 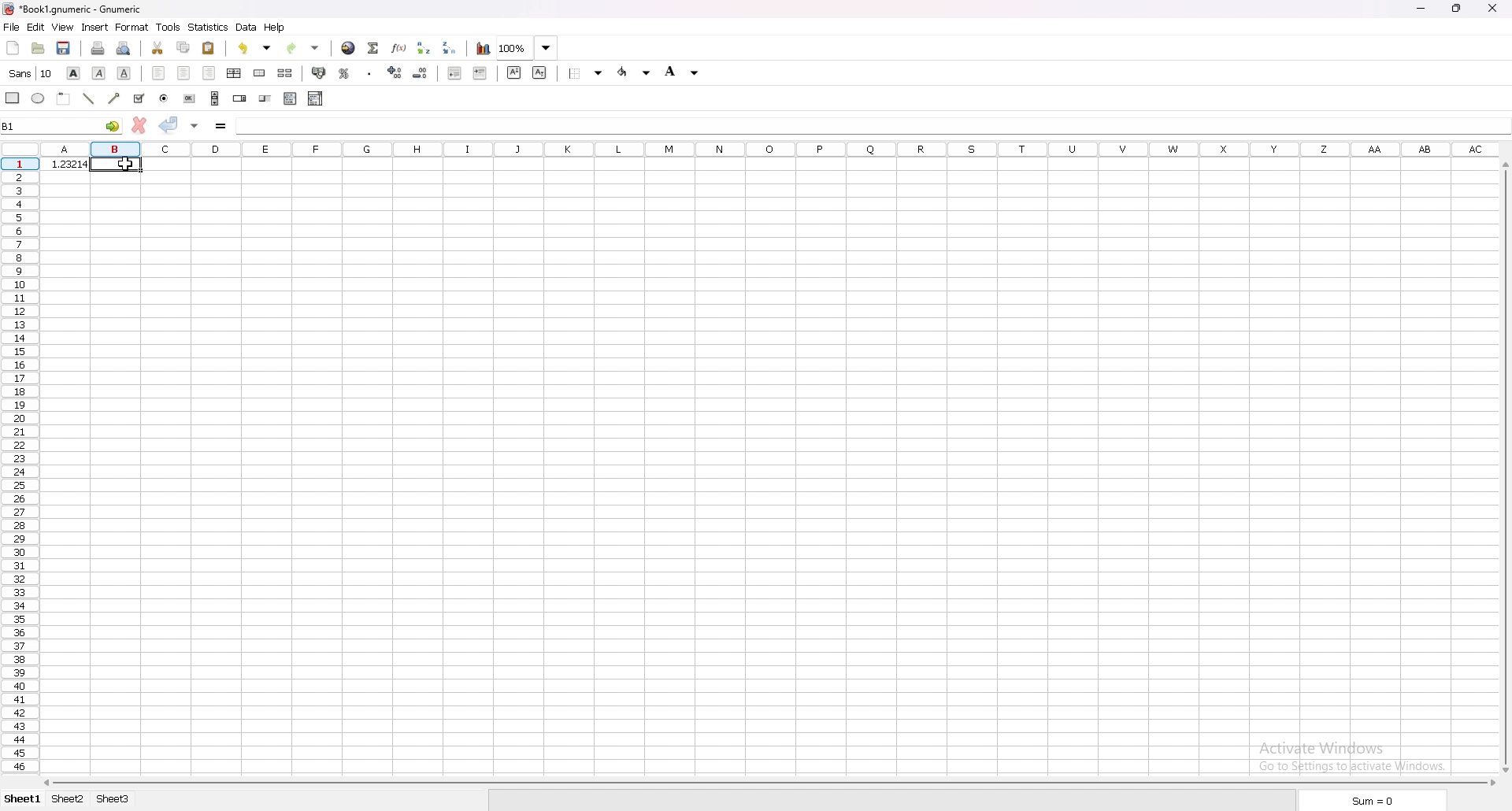 I want to click on cell input, so click(x=870, y=126).